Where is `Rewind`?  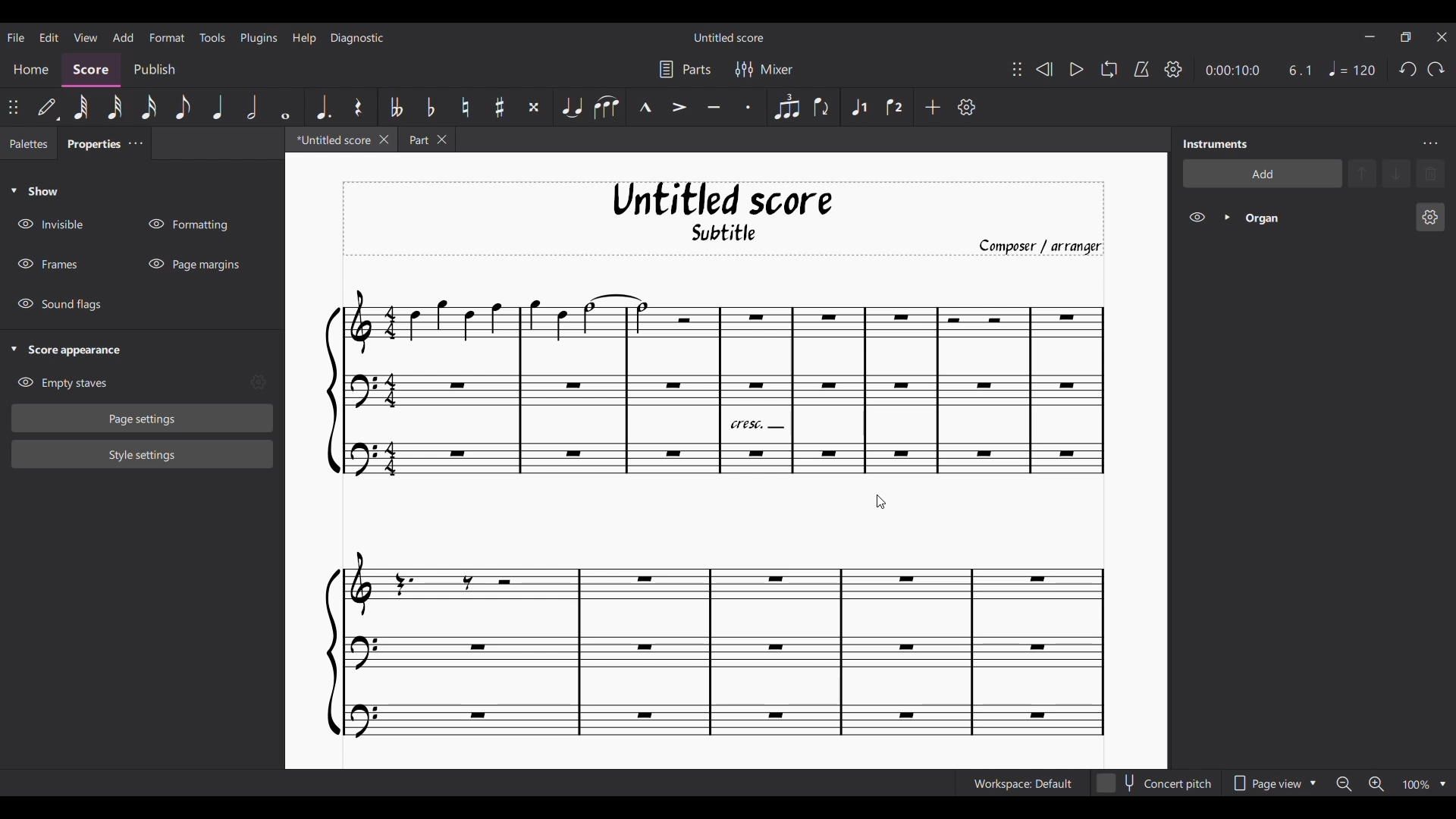 Rewind is located at coordinates (1044, 69).